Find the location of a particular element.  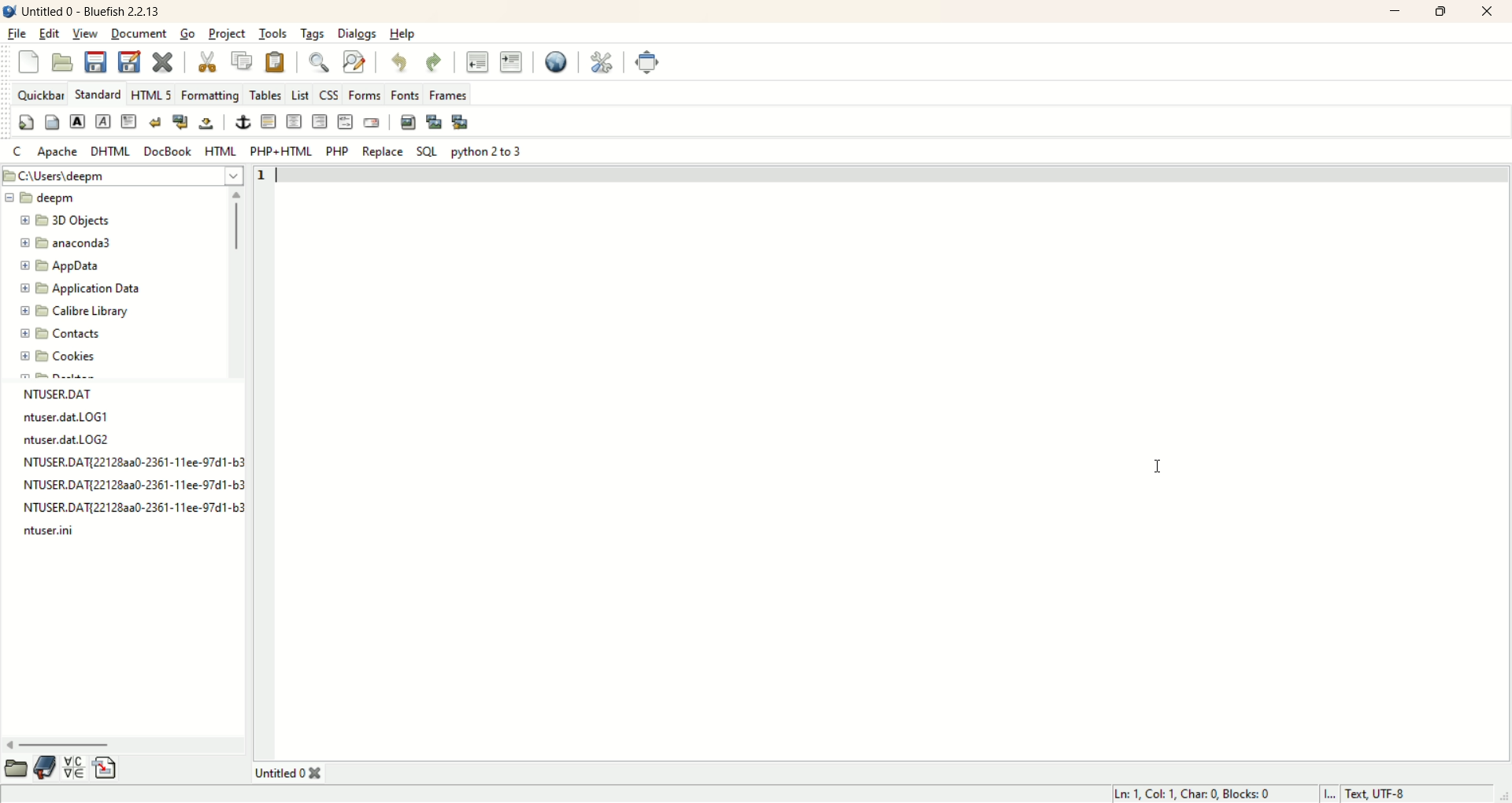

save file as is located at coordinates (128, 61).